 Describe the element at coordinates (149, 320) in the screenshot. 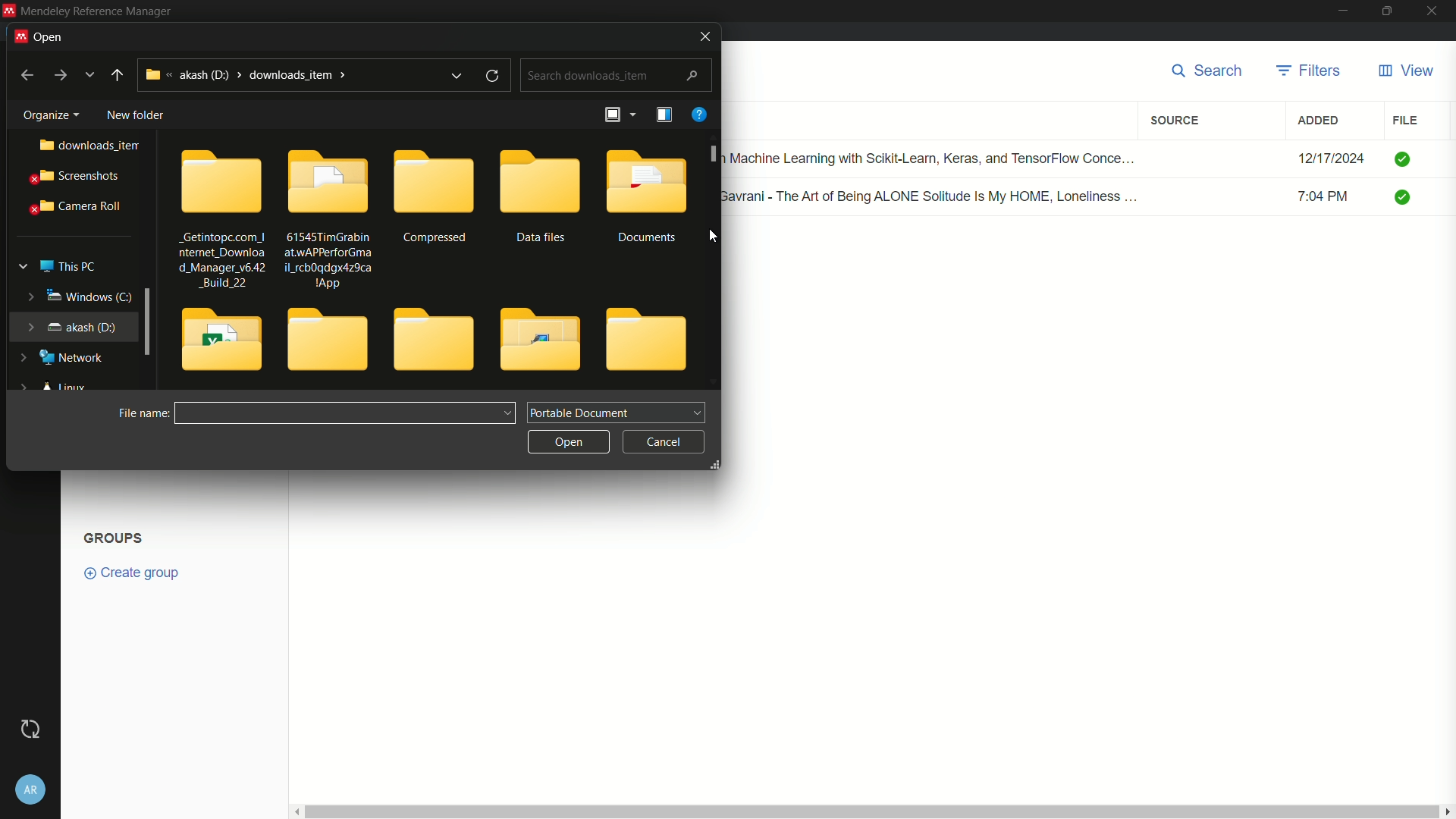

I see `expand window` at that location.